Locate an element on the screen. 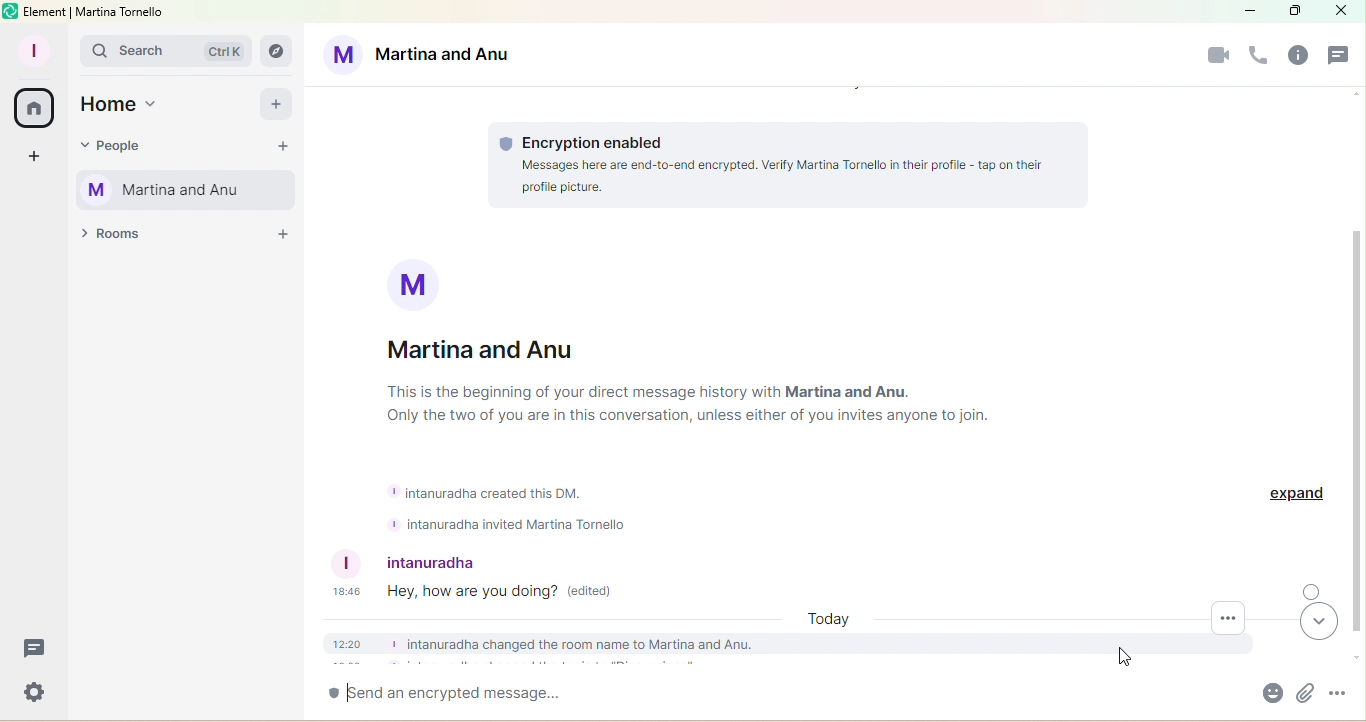 Image resolution: width=1366 pixels, height=722 pixels. Add is located at coordinates (276, 104).